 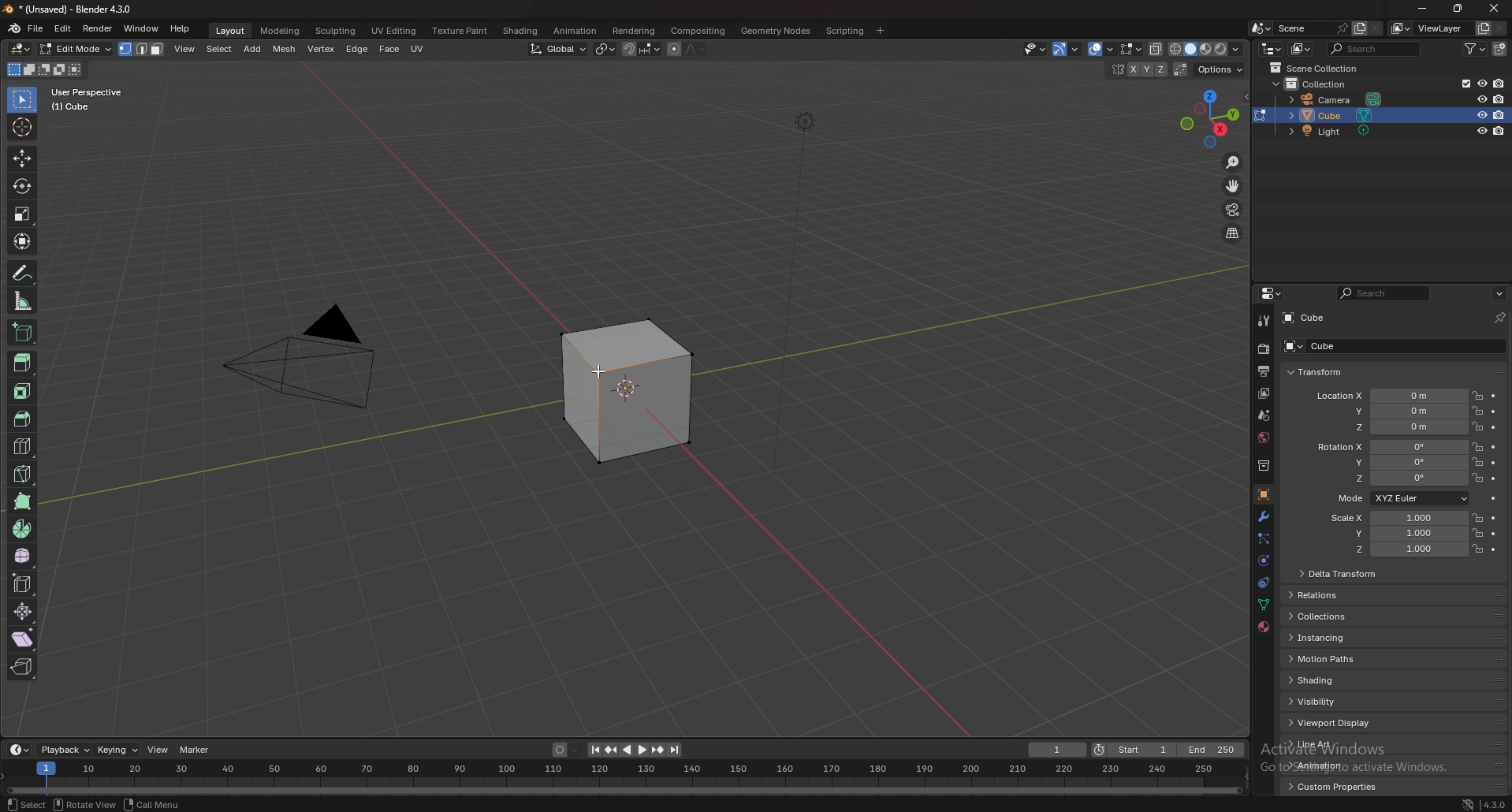 What do you see at coordinates (1234, 234) in the screenshot?
I see `switch view from perspective/orthographic position` at bounding box center [1234, 234].